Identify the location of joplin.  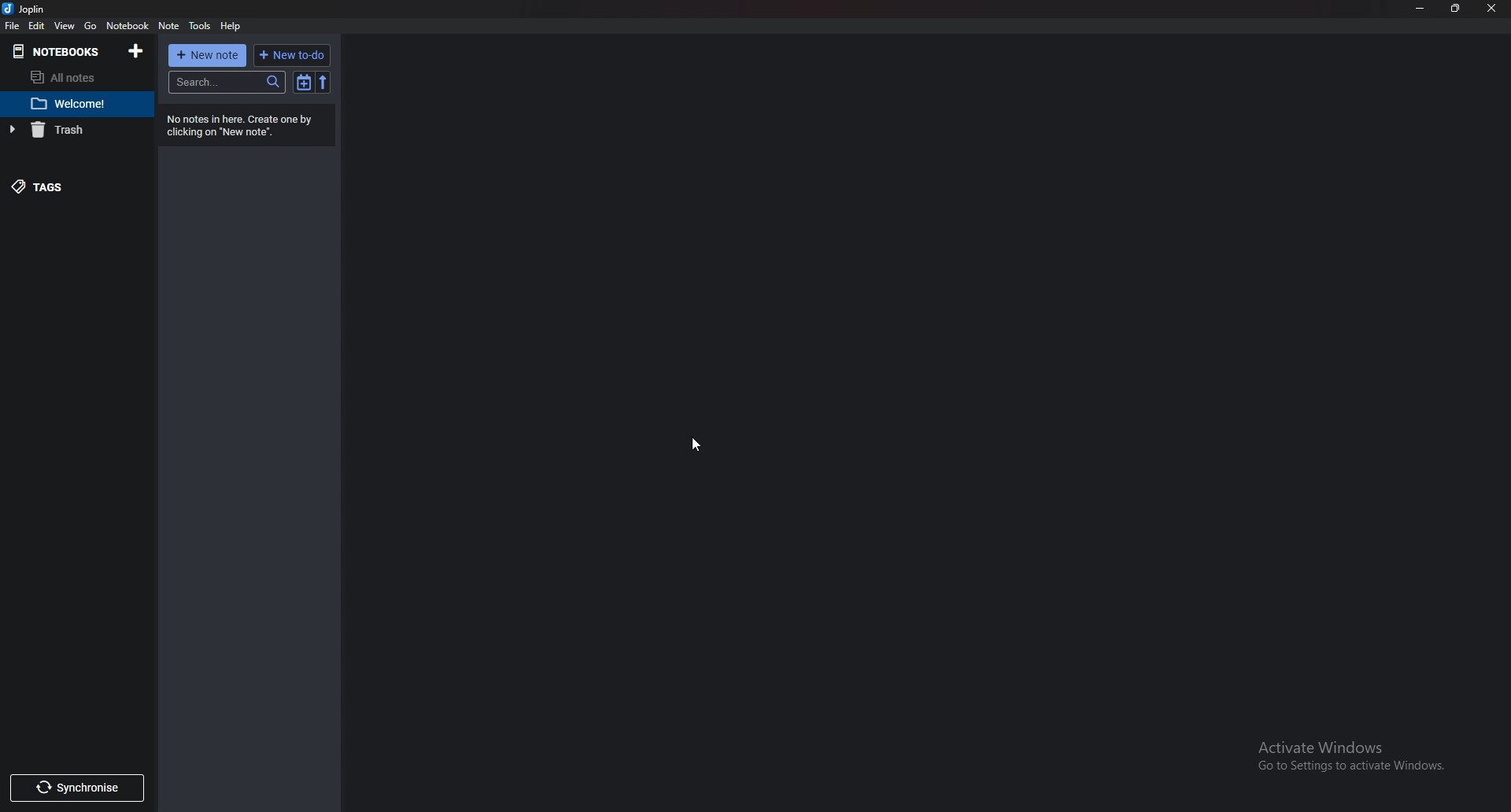
(29, 9).